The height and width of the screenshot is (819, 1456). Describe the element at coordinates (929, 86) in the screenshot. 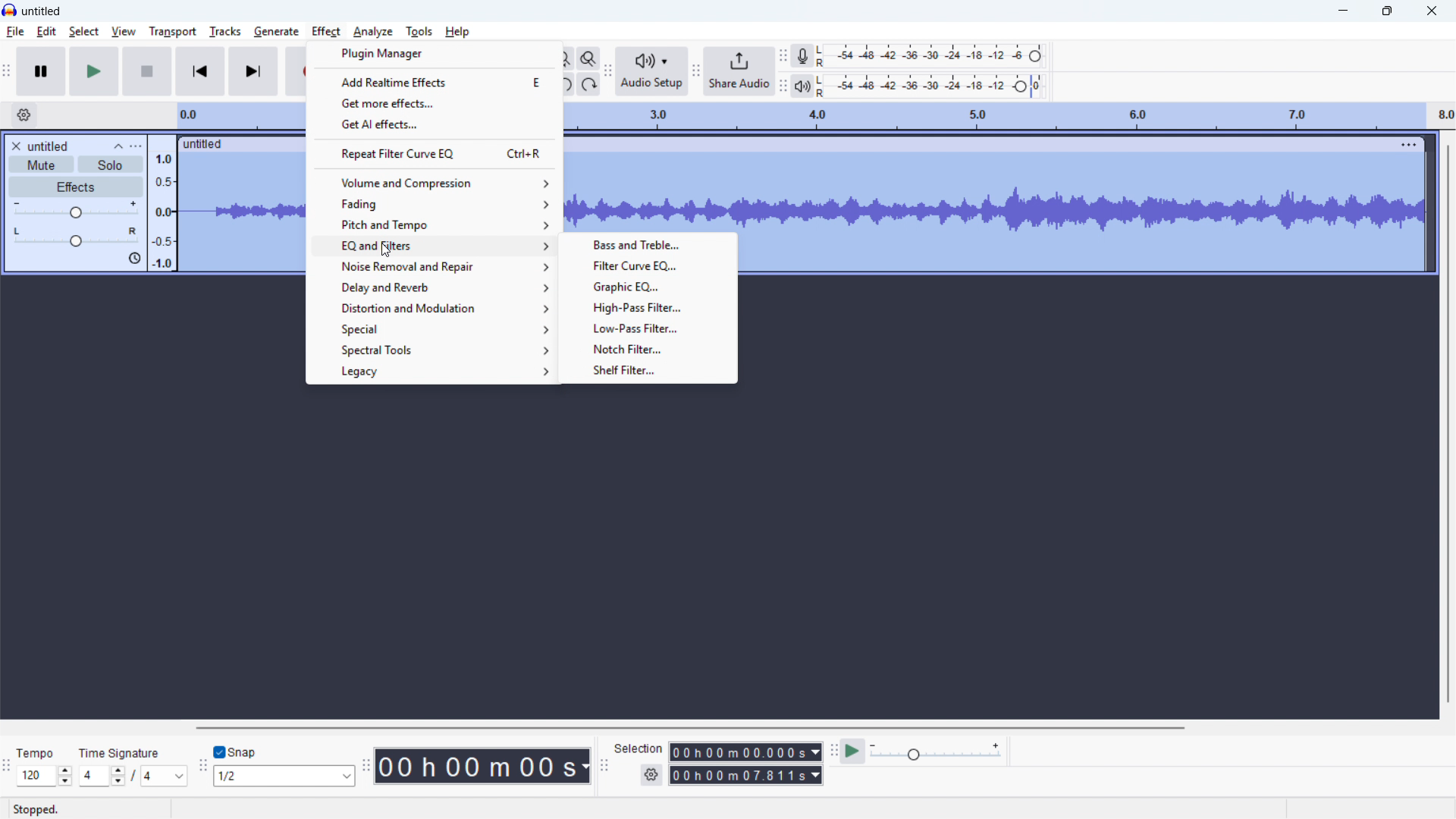

I see `Playback level ` at that location.